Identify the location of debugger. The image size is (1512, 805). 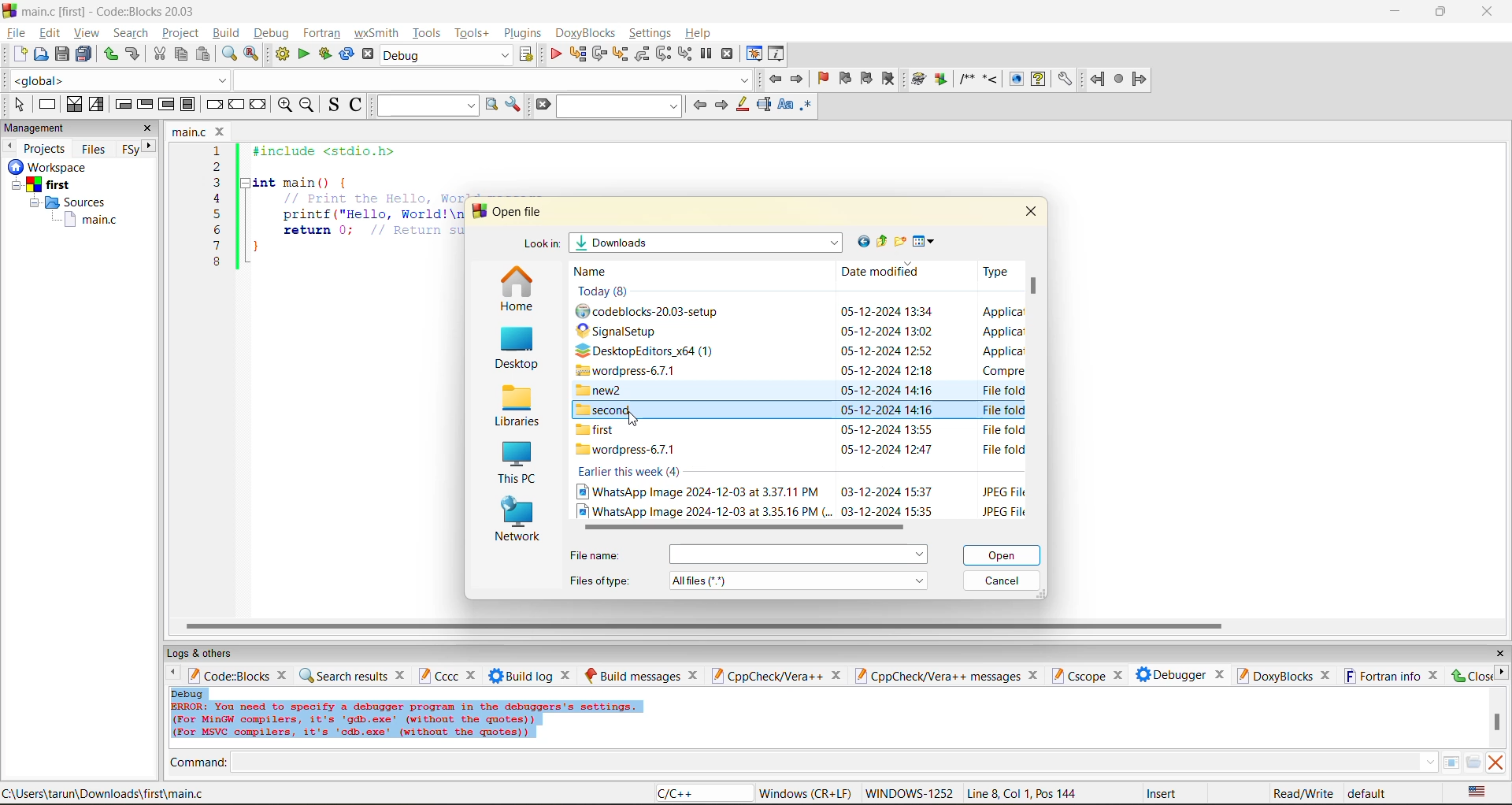
(1170, 674).